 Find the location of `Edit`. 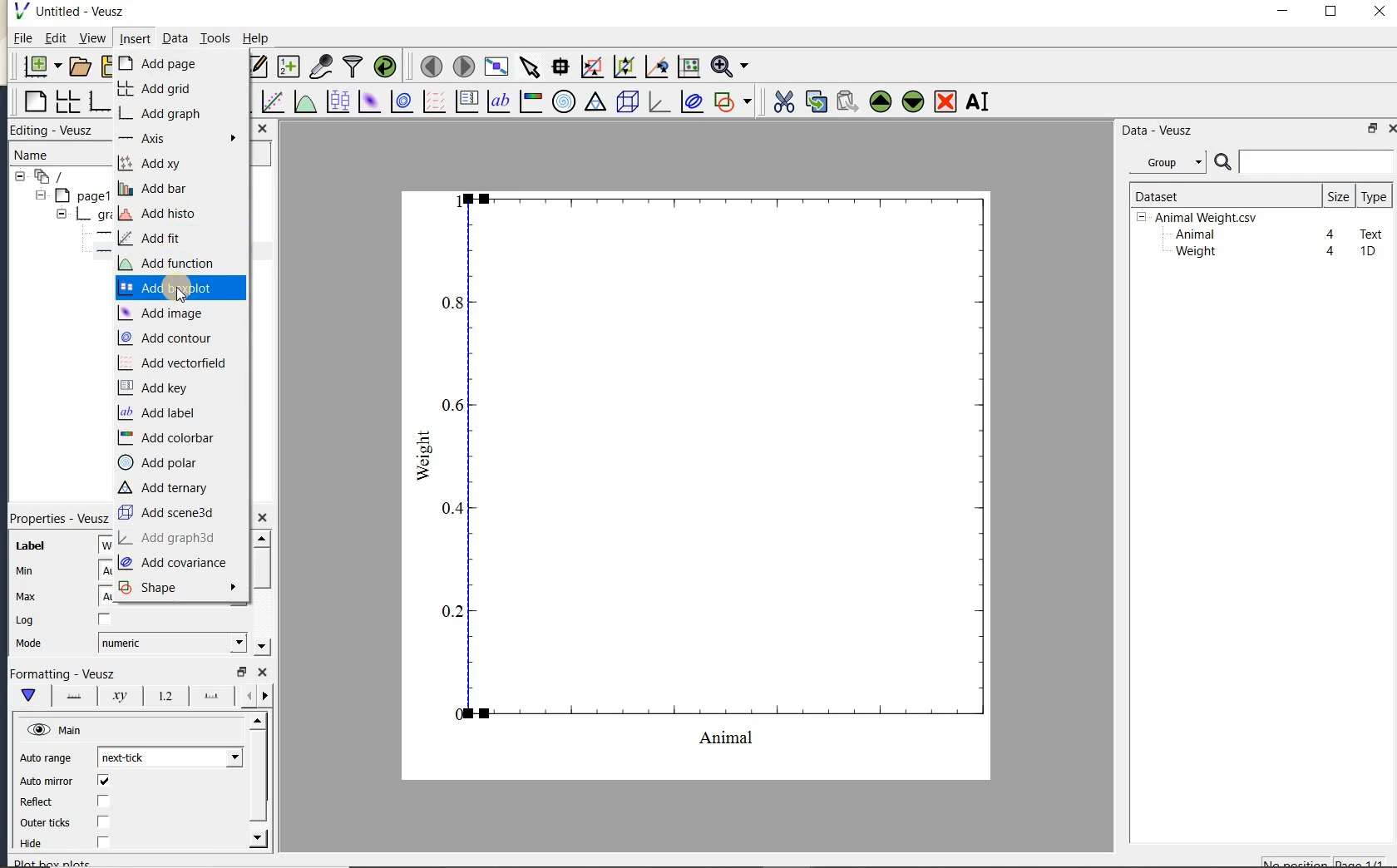

Edit is located at coordinates (52, 40).